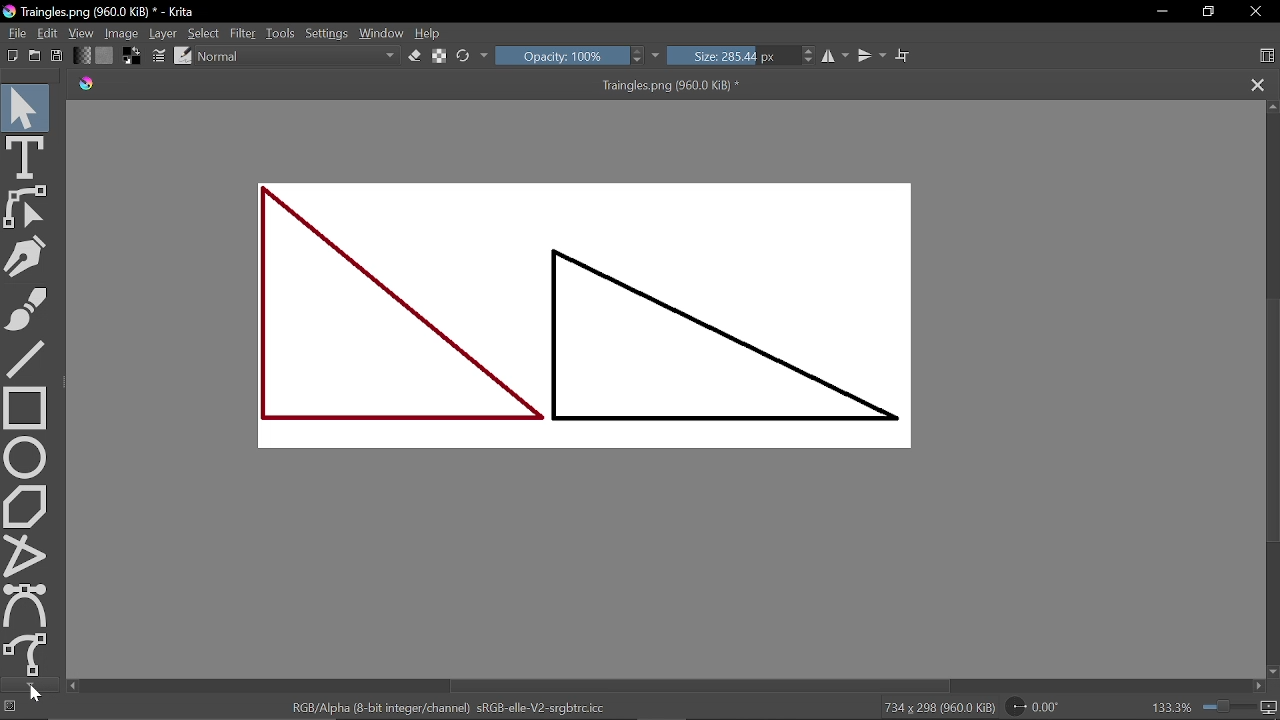  I want to click on Reload alpha, so click(441, 57).